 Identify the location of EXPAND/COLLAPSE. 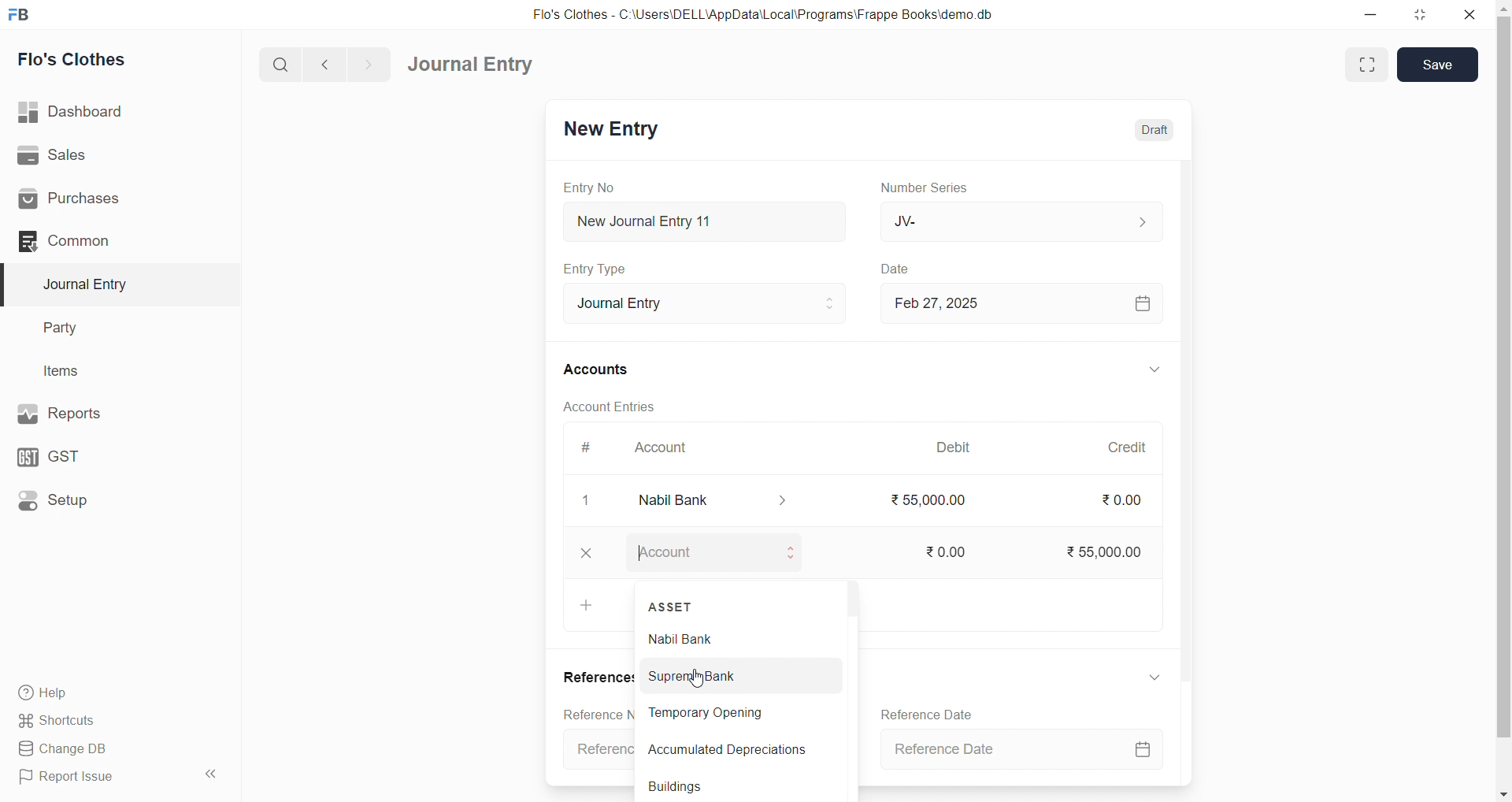
(1158, 369).